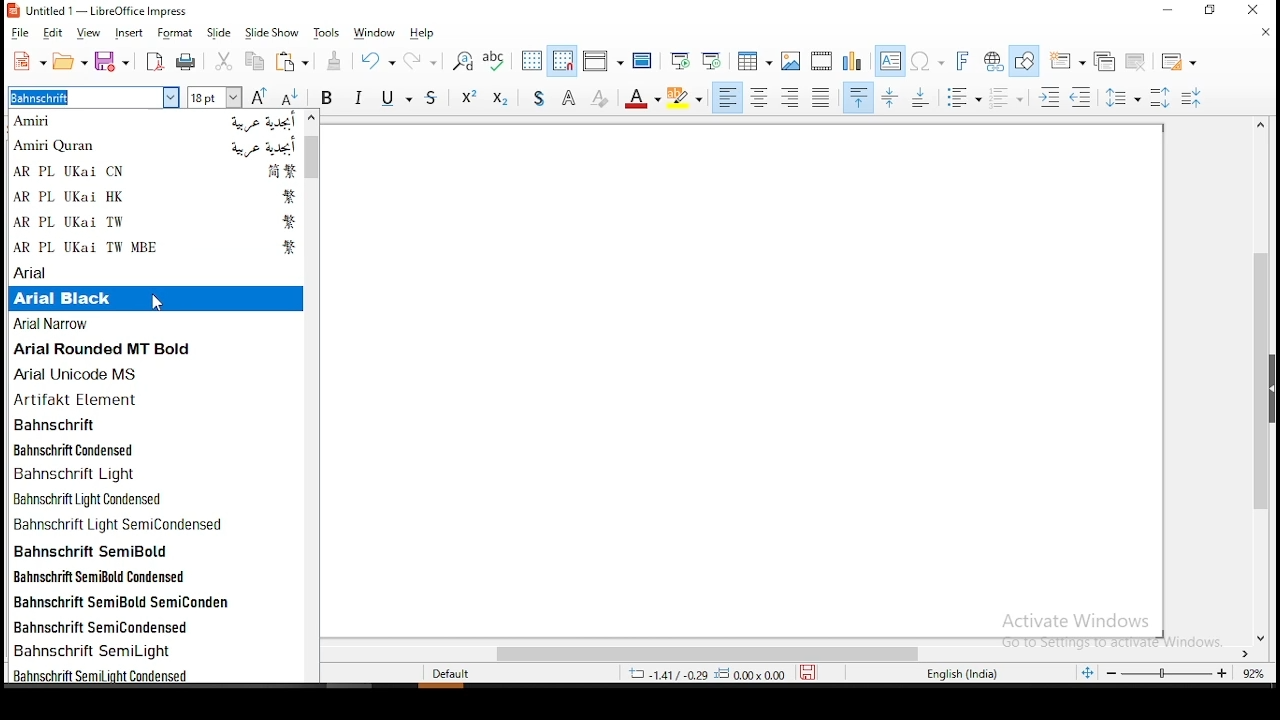 The width and height of the screenshot is (1280, 720). I want to click on close, so click(1265, 36).